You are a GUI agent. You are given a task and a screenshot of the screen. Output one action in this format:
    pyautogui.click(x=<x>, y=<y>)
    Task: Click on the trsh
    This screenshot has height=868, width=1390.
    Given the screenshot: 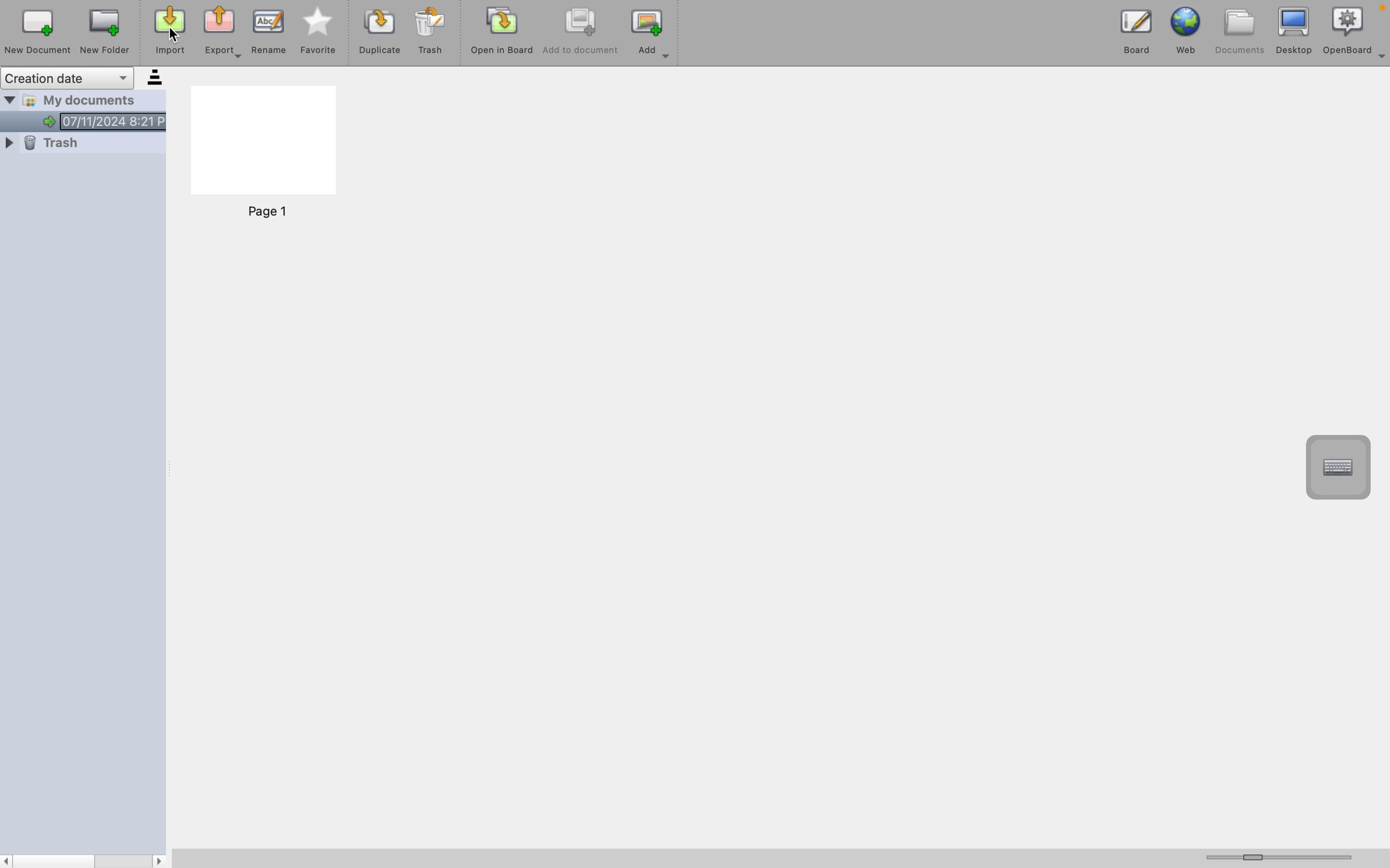 What is the action you would take?
    pyautogui.click(x=80, y=150)
    